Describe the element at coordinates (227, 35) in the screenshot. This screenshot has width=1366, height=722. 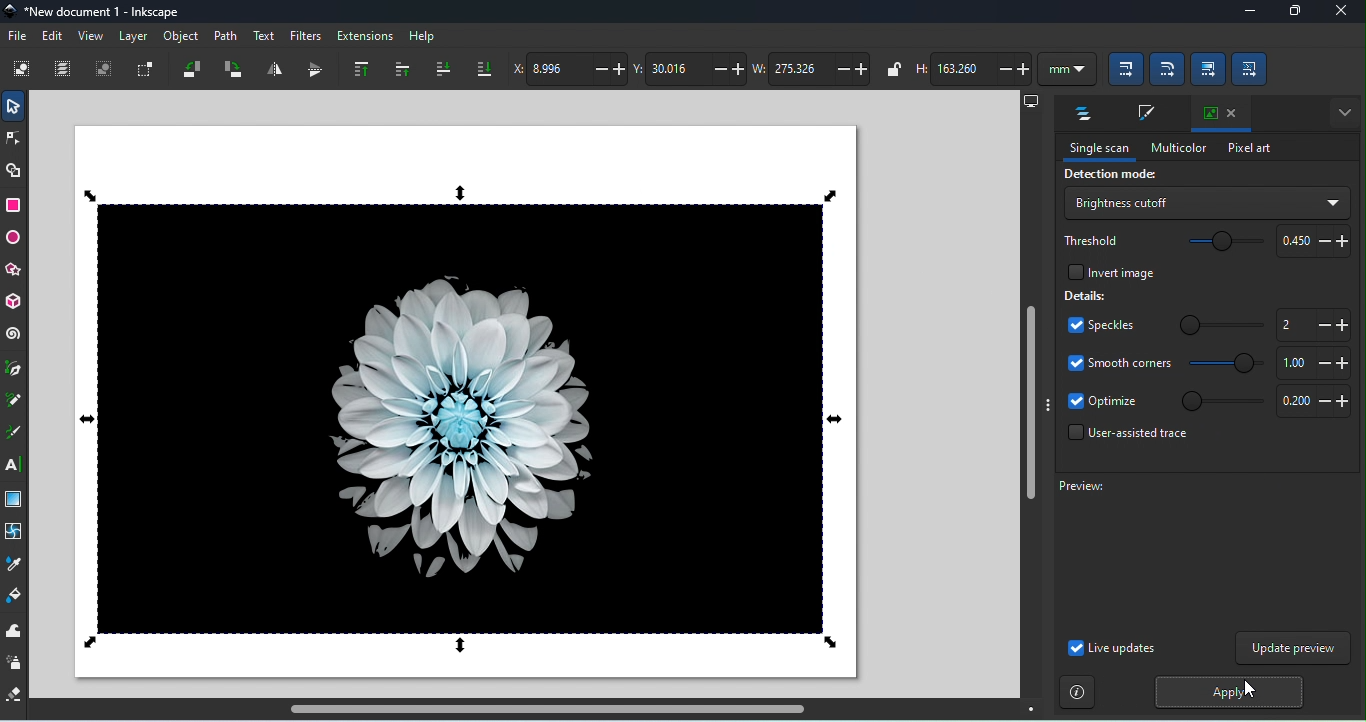
I see `Path` at that location.